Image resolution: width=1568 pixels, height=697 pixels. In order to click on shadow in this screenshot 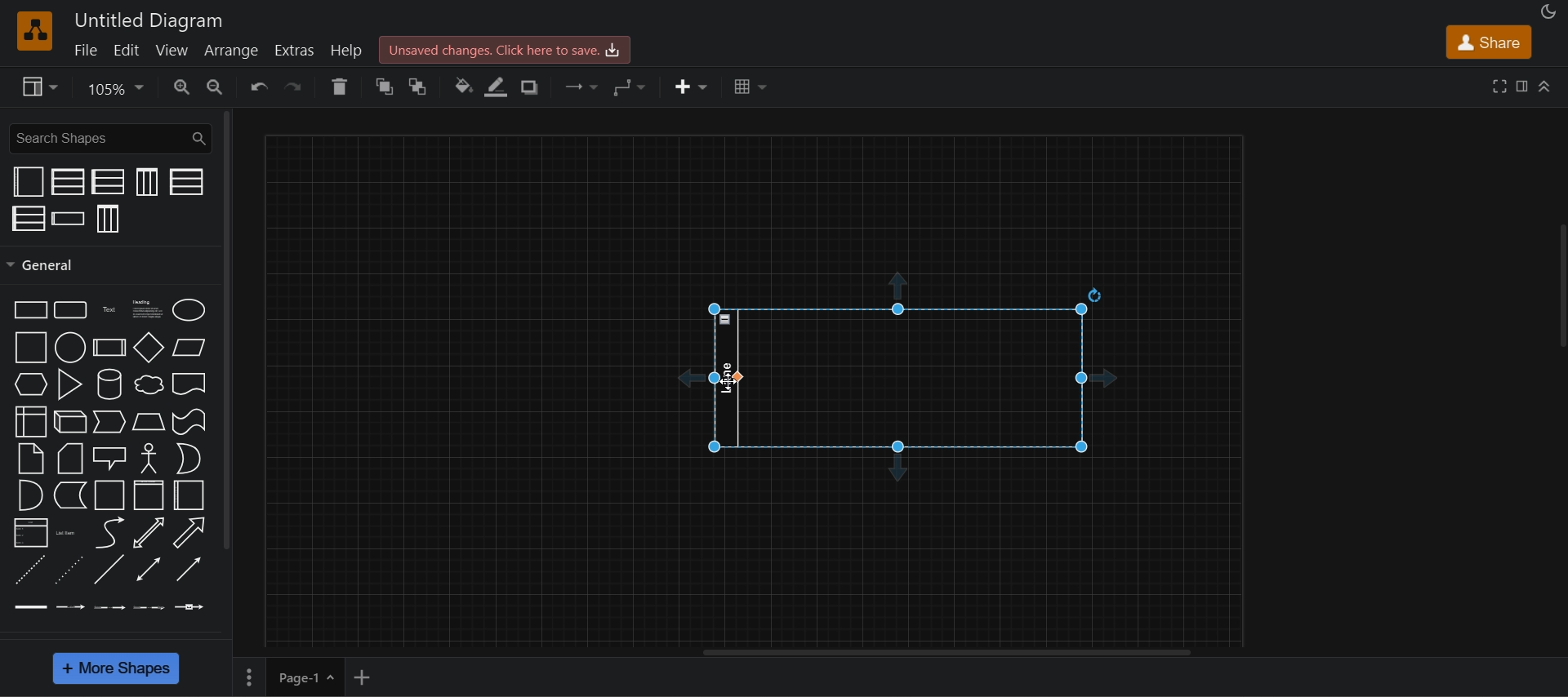, I will do `click(535, 89)`.